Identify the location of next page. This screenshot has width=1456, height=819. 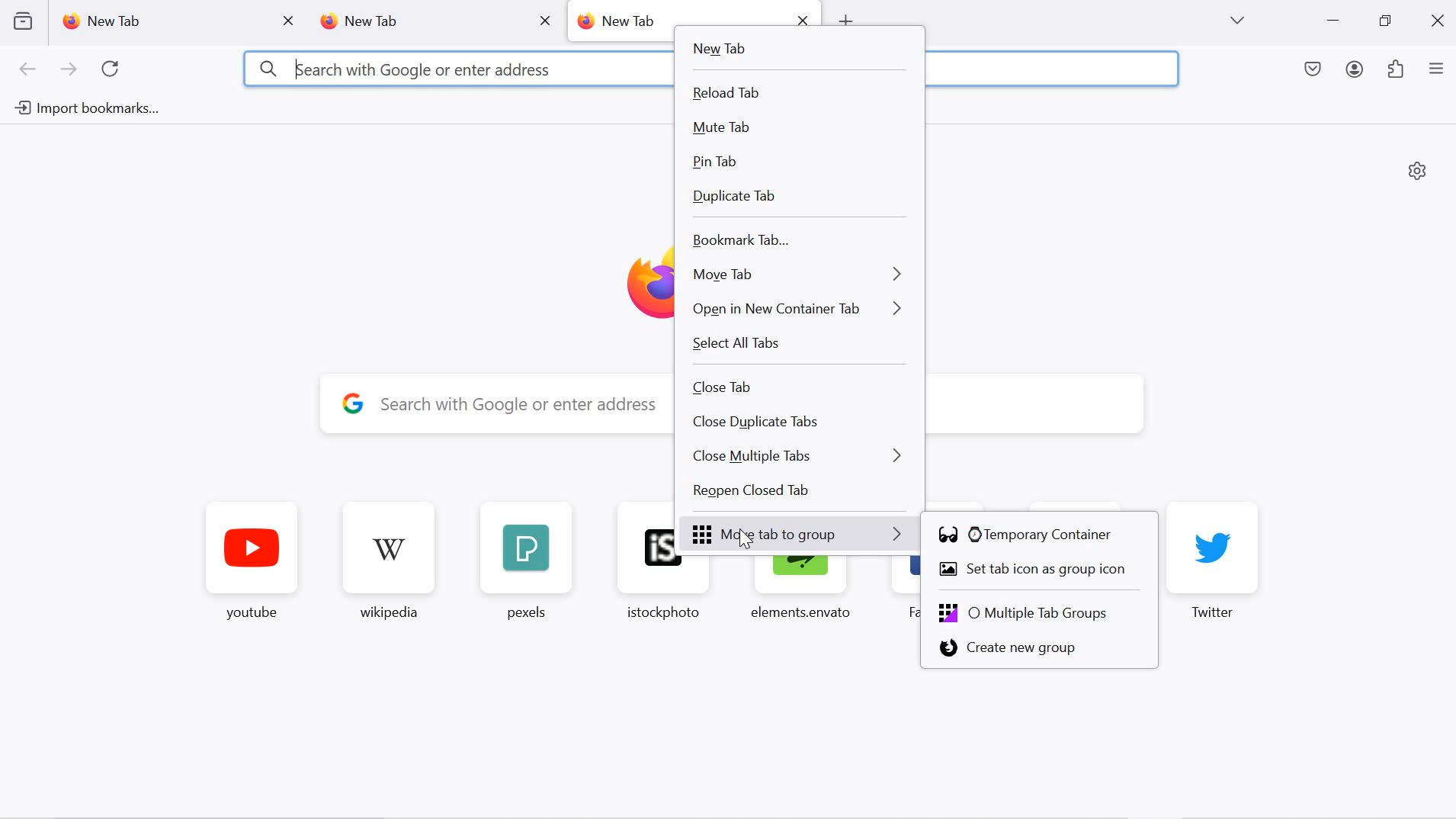
(69, 70).